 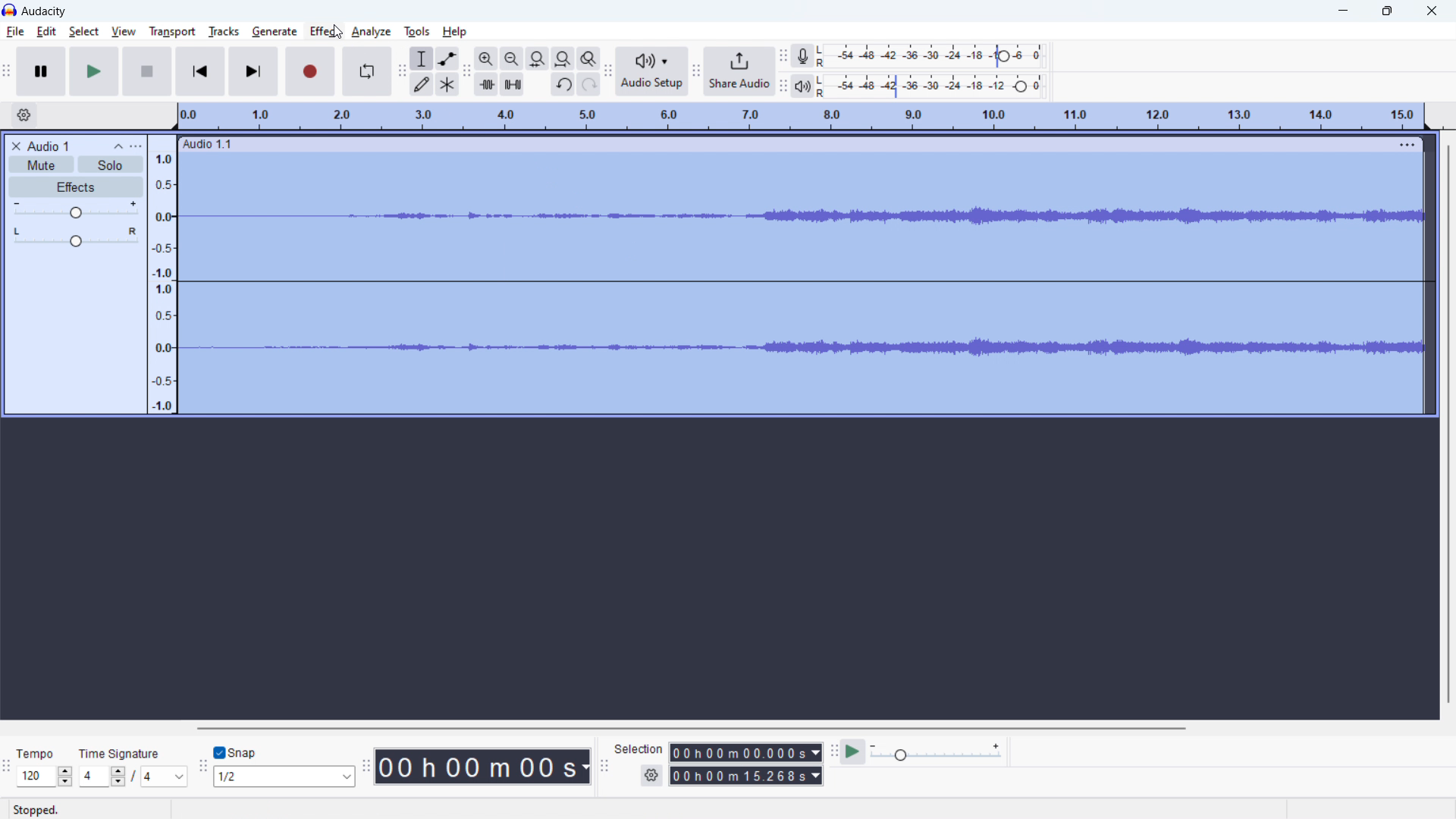 I want to click on 1/2 (select snapping), so click(x=285, y=776).